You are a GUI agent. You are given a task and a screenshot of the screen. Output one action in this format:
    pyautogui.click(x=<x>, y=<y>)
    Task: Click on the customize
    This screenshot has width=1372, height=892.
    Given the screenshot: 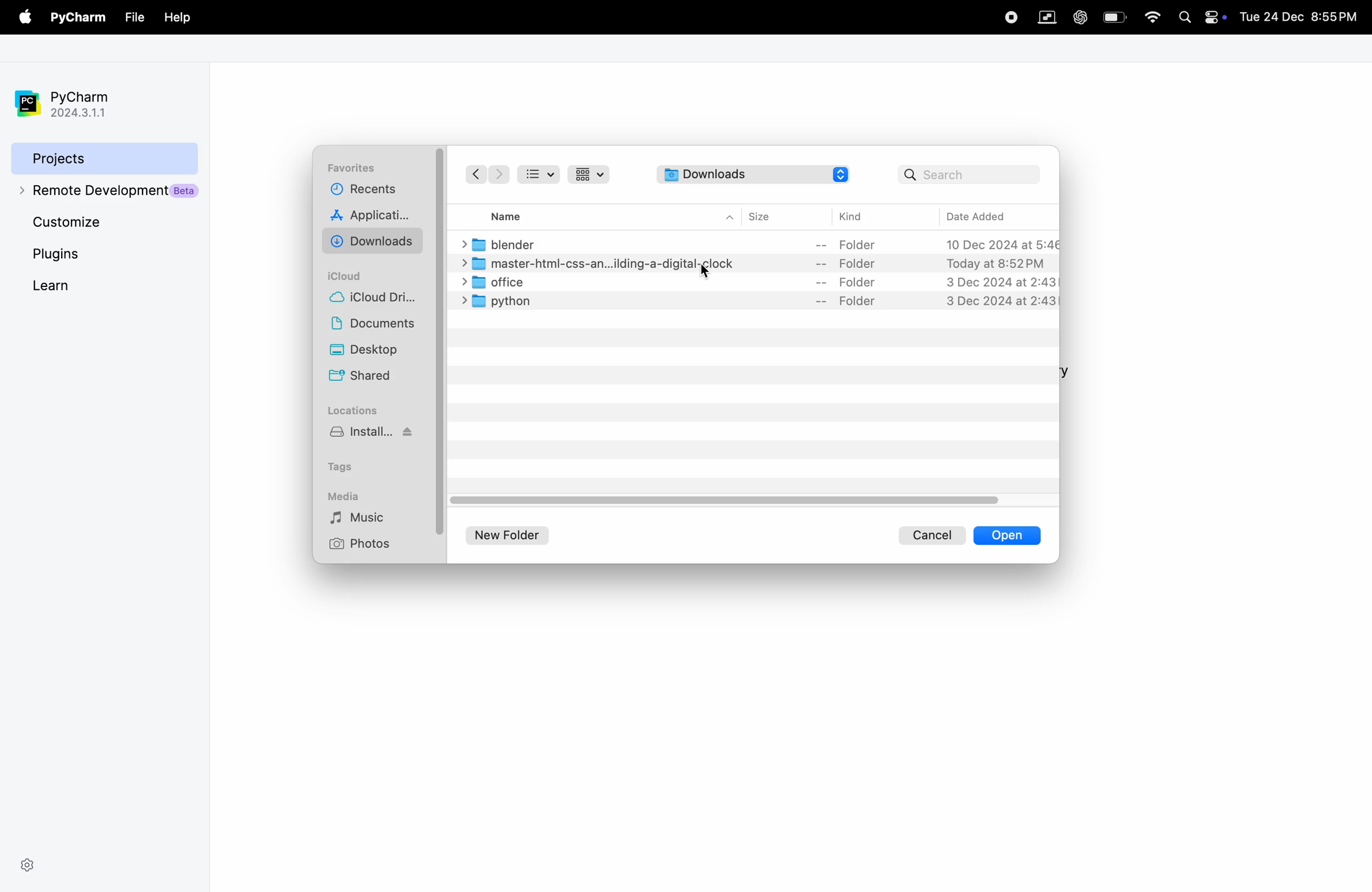 What is the action you would take?
    pyautogui.click(x=105, y=224)
    